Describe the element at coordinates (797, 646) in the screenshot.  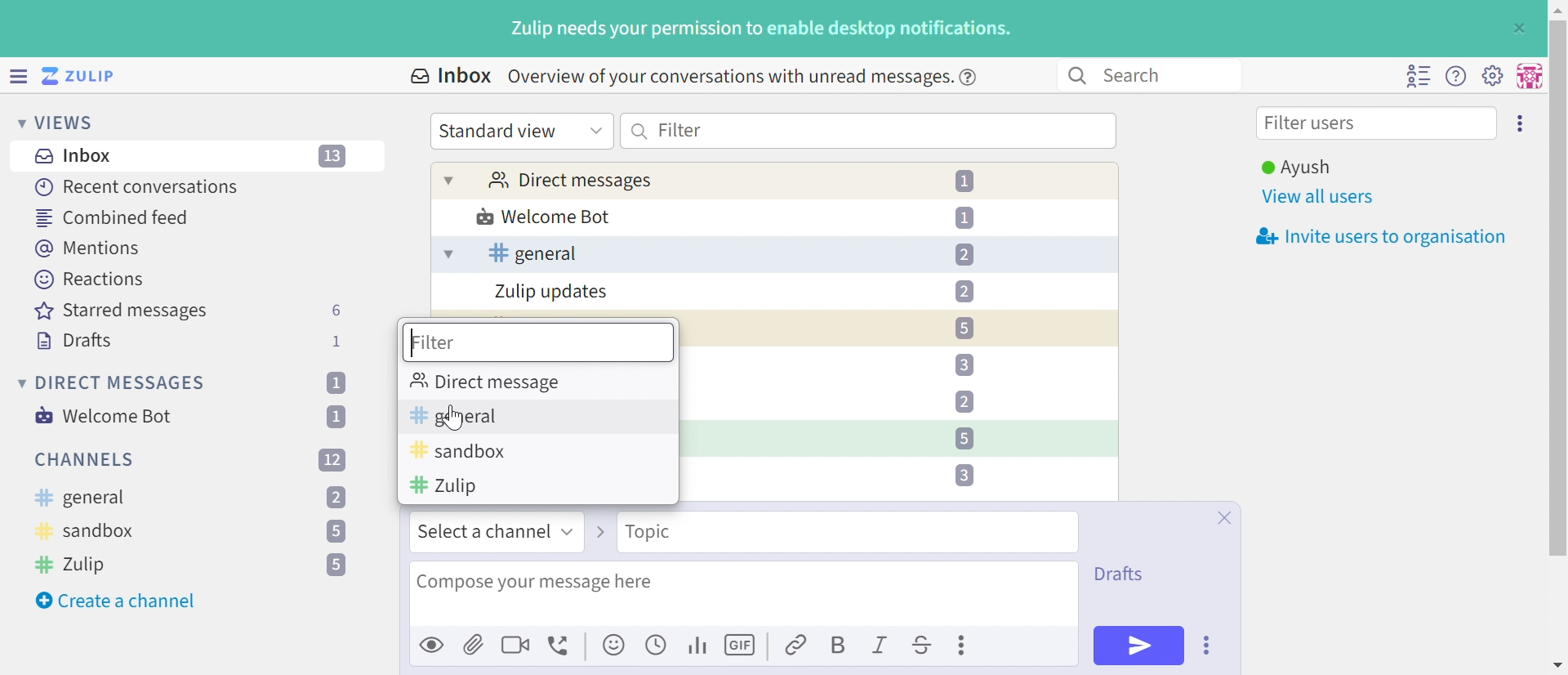
I see `Link` at that location.